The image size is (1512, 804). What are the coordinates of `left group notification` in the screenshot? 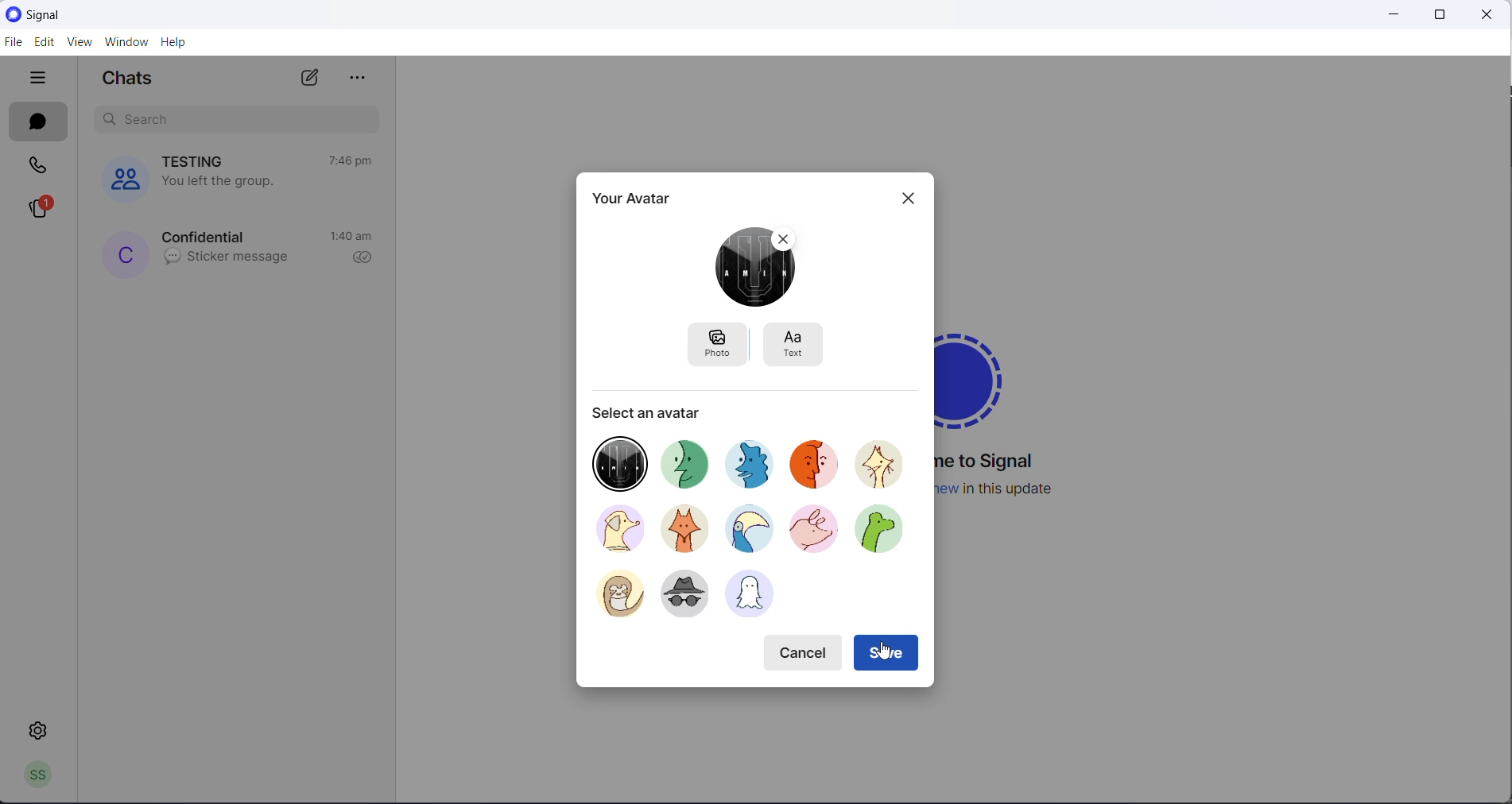 It's located at (229, 181).